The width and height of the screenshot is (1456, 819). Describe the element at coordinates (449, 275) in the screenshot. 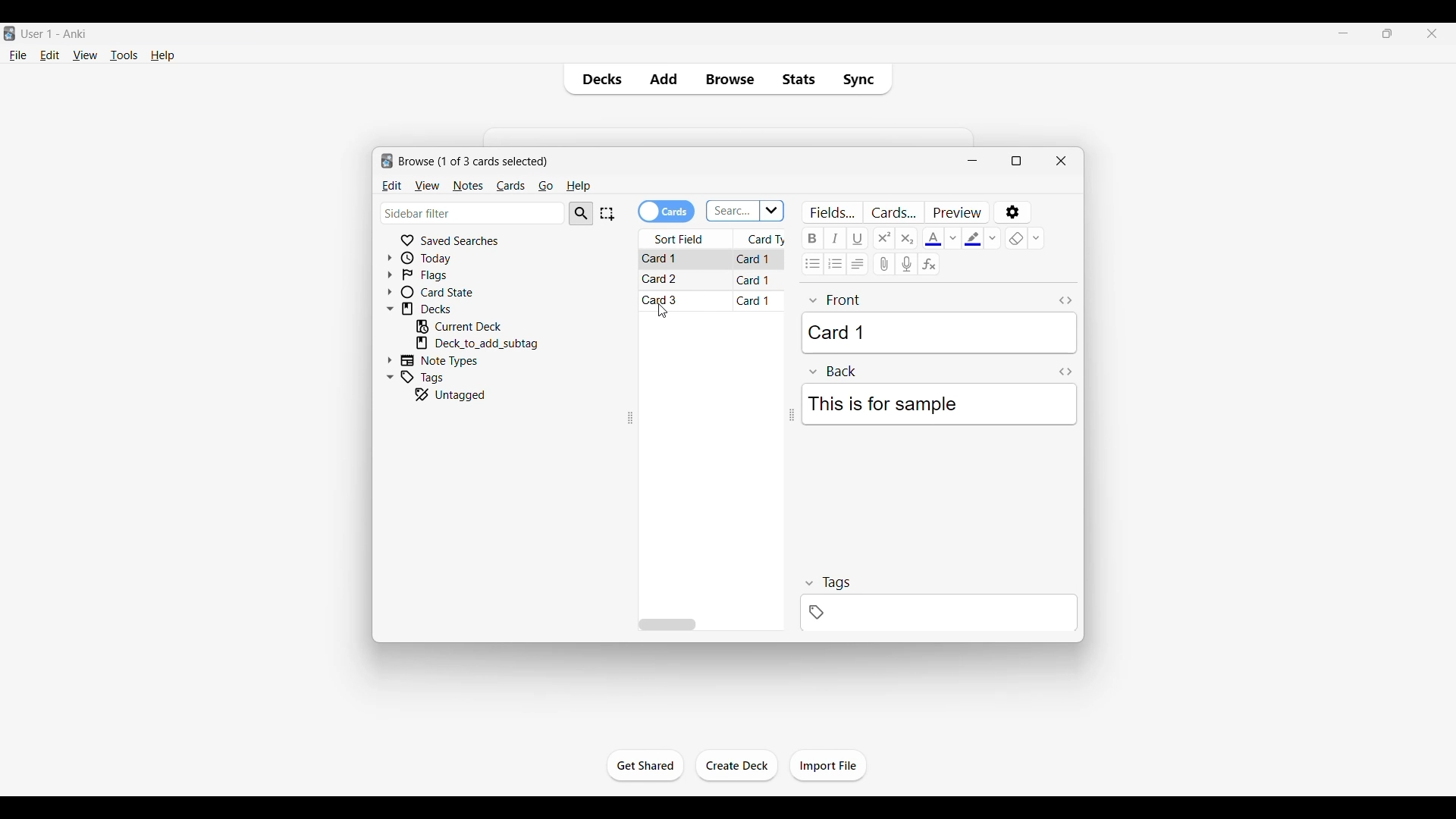

I see `Click to go to Flags ` at that location.